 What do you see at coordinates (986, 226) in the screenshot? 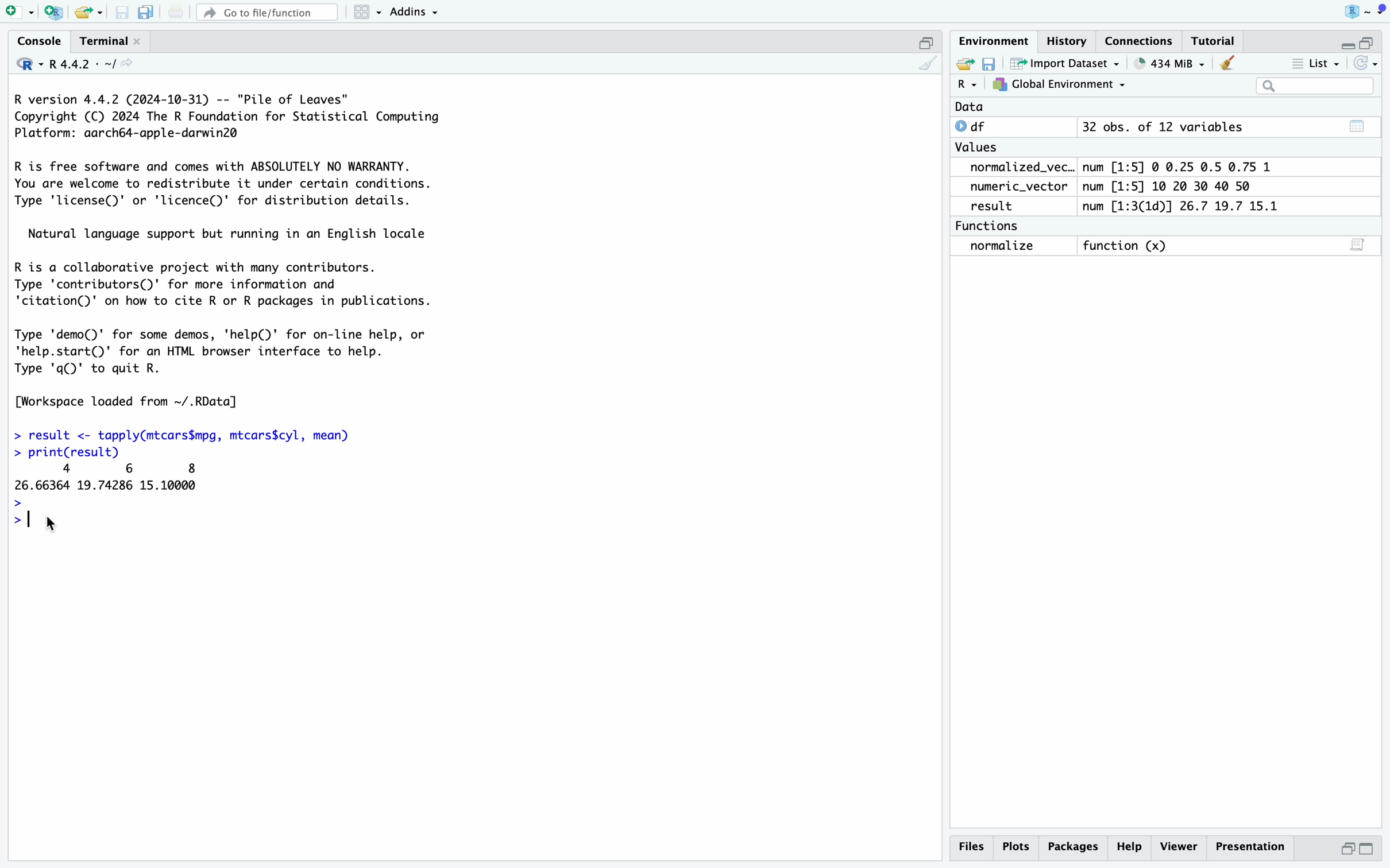
I see `Functions` at bounding box center [986, 226].